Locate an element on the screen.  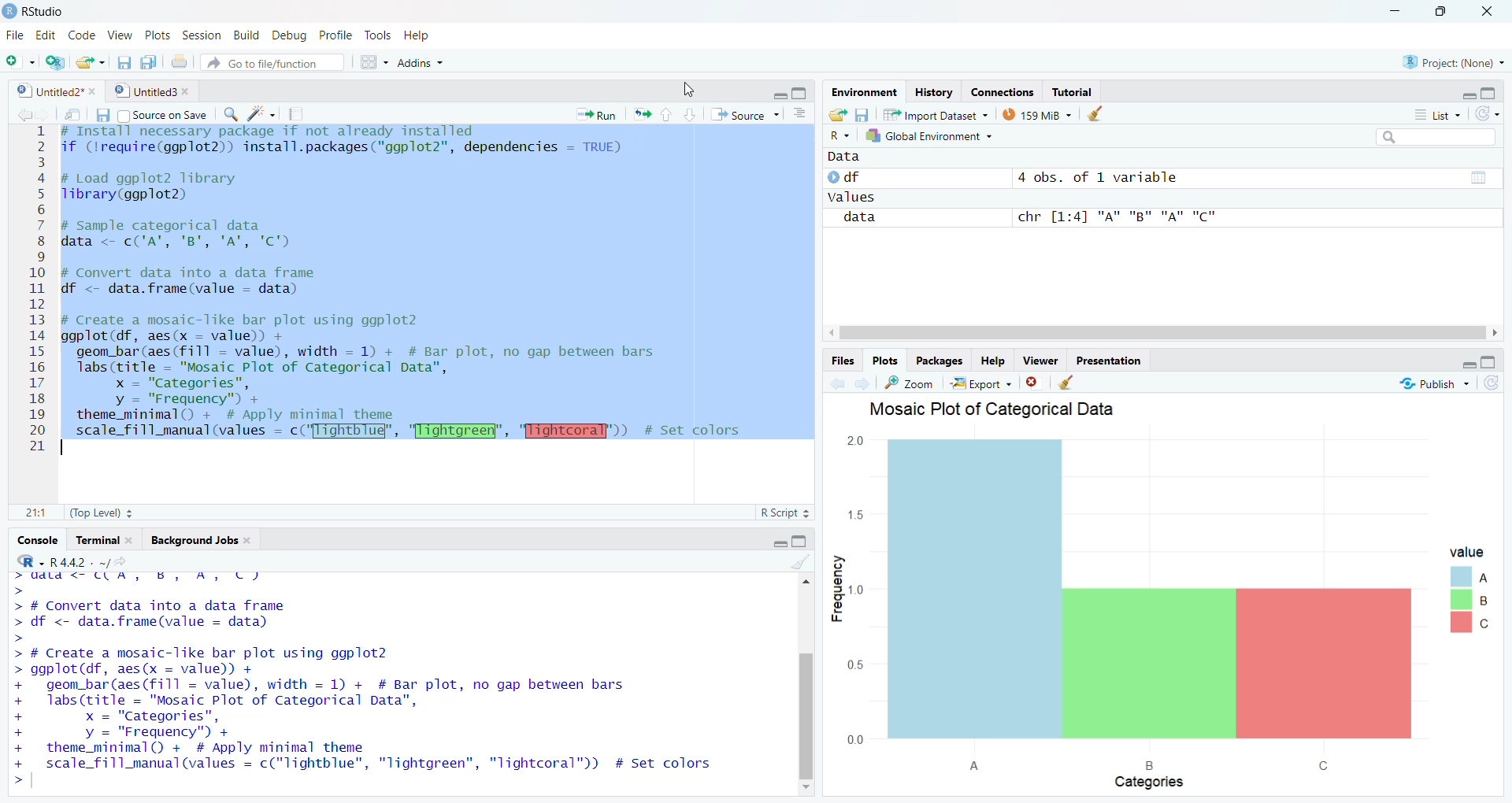
Open folder is located at coordinates (89, 62).